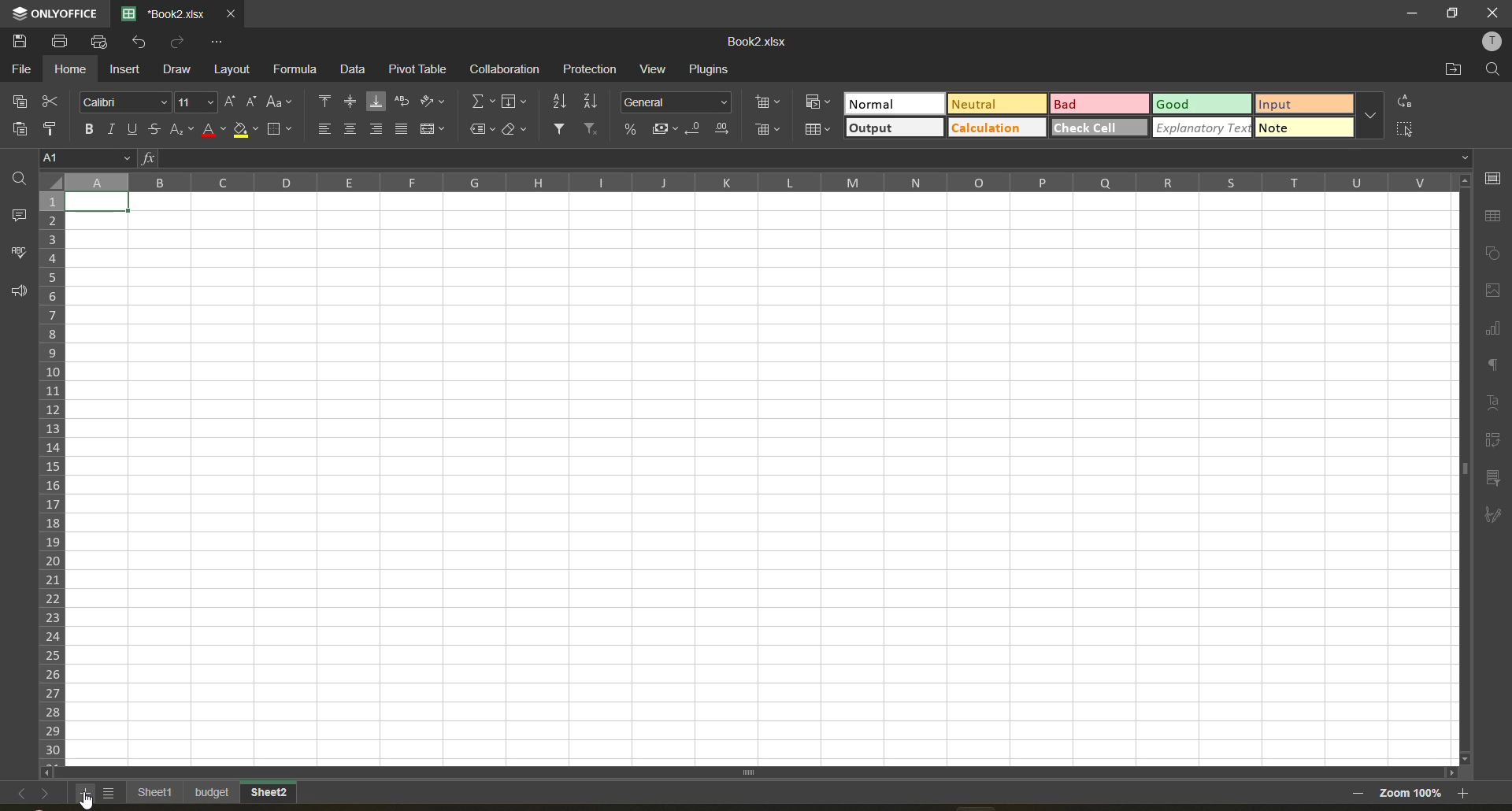 The width and height of the screenshot is (1512, 811). I want to click on close tab, so click(232, 13).